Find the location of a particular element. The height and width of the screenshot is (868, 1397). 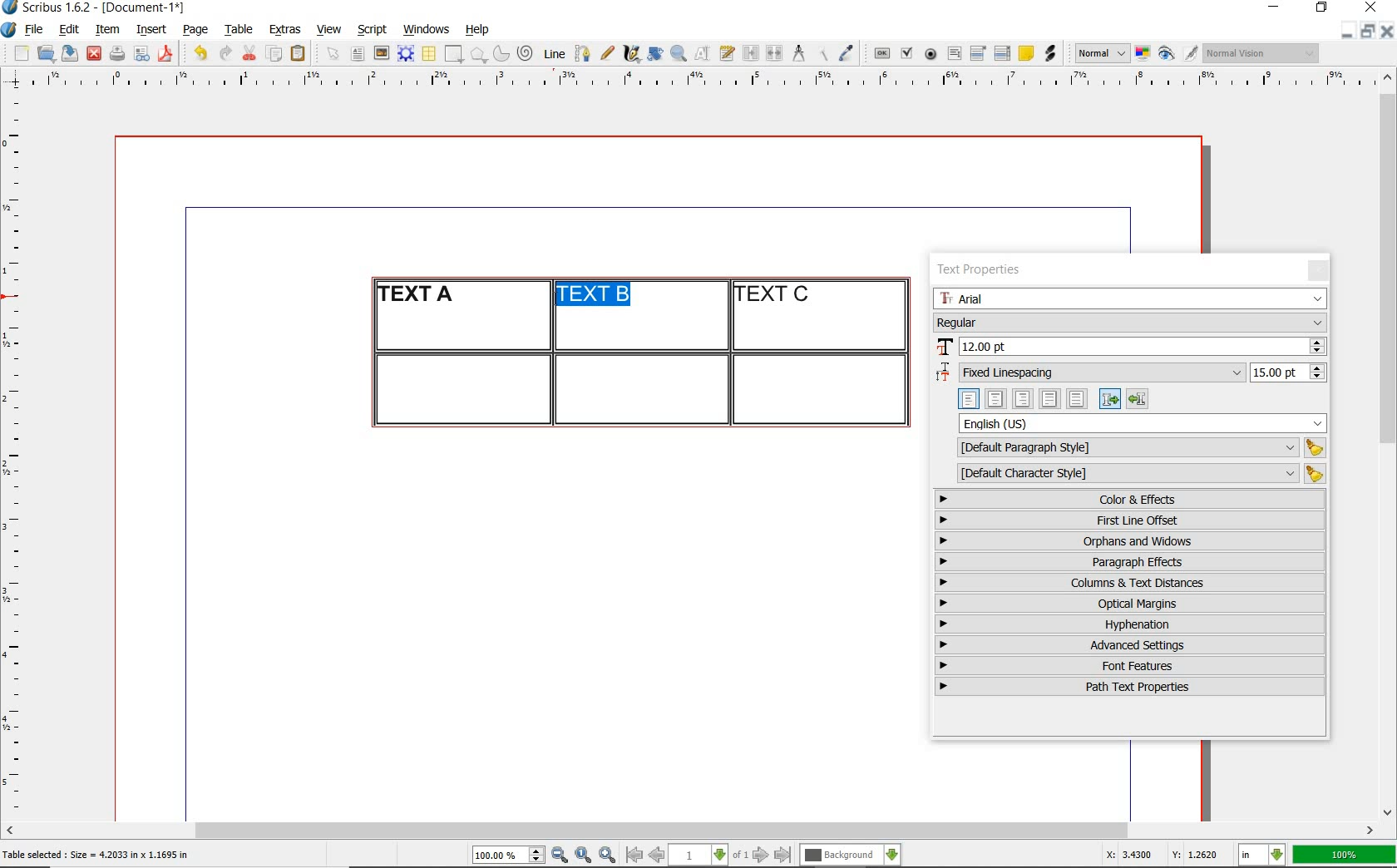

link annotation is located at coordinates (1052, 53).